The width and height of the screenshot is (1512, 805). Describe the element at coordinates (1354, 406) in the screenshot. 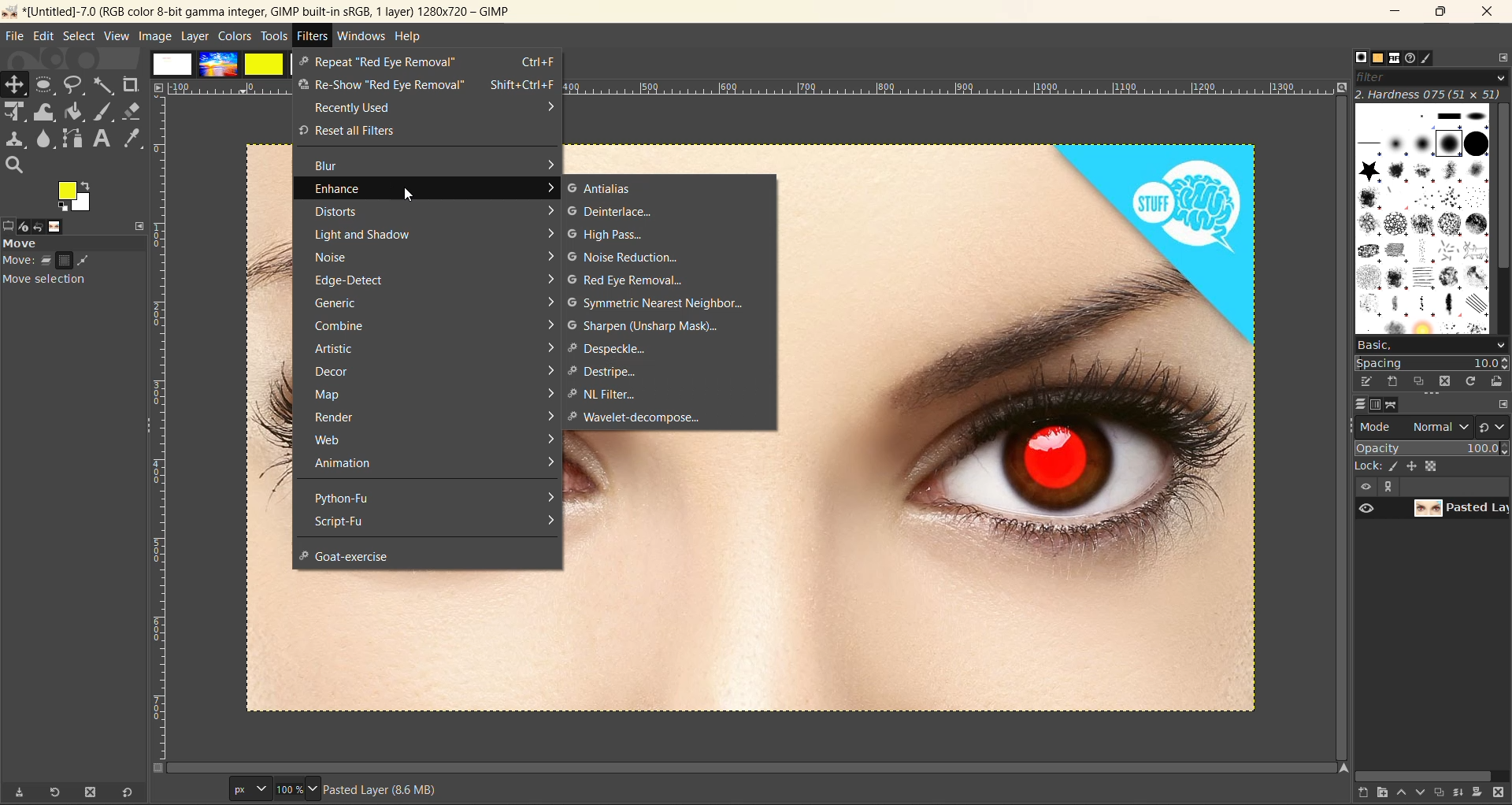

I see `layer` at that location.